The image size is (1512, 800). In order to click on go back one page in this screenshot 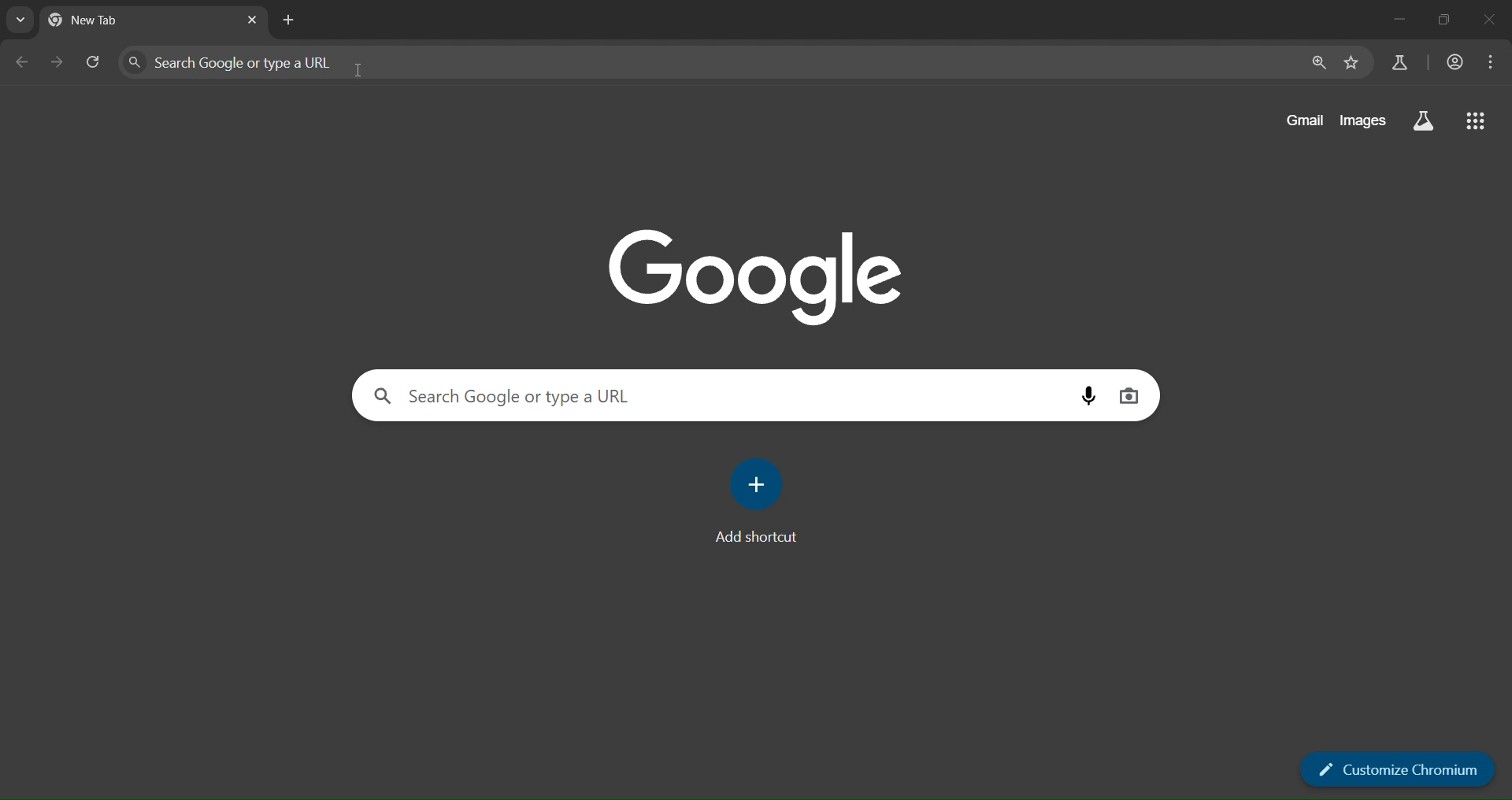, I will do `click(20, 62)`.